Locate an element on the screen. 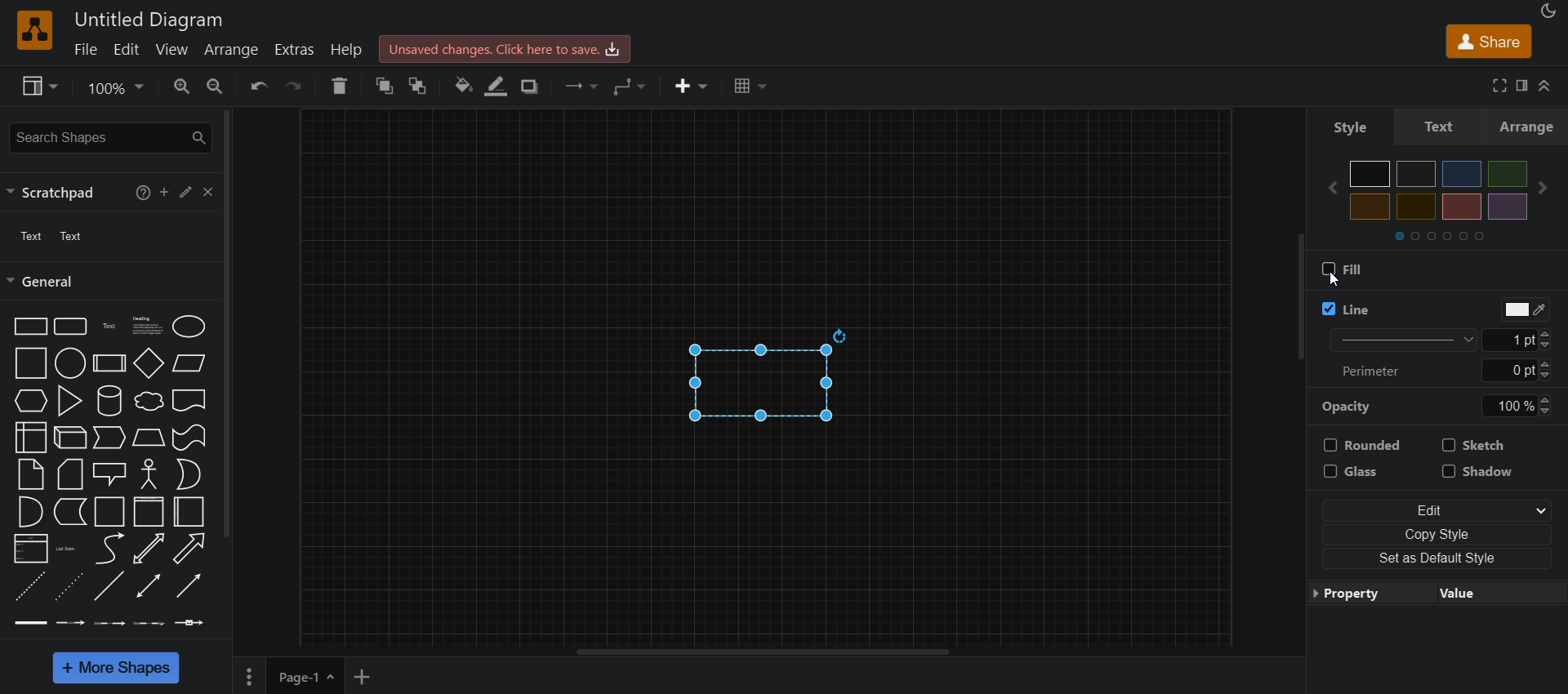 This screenshot has height=694, width=1568. text is located at coordinates (109, 326).